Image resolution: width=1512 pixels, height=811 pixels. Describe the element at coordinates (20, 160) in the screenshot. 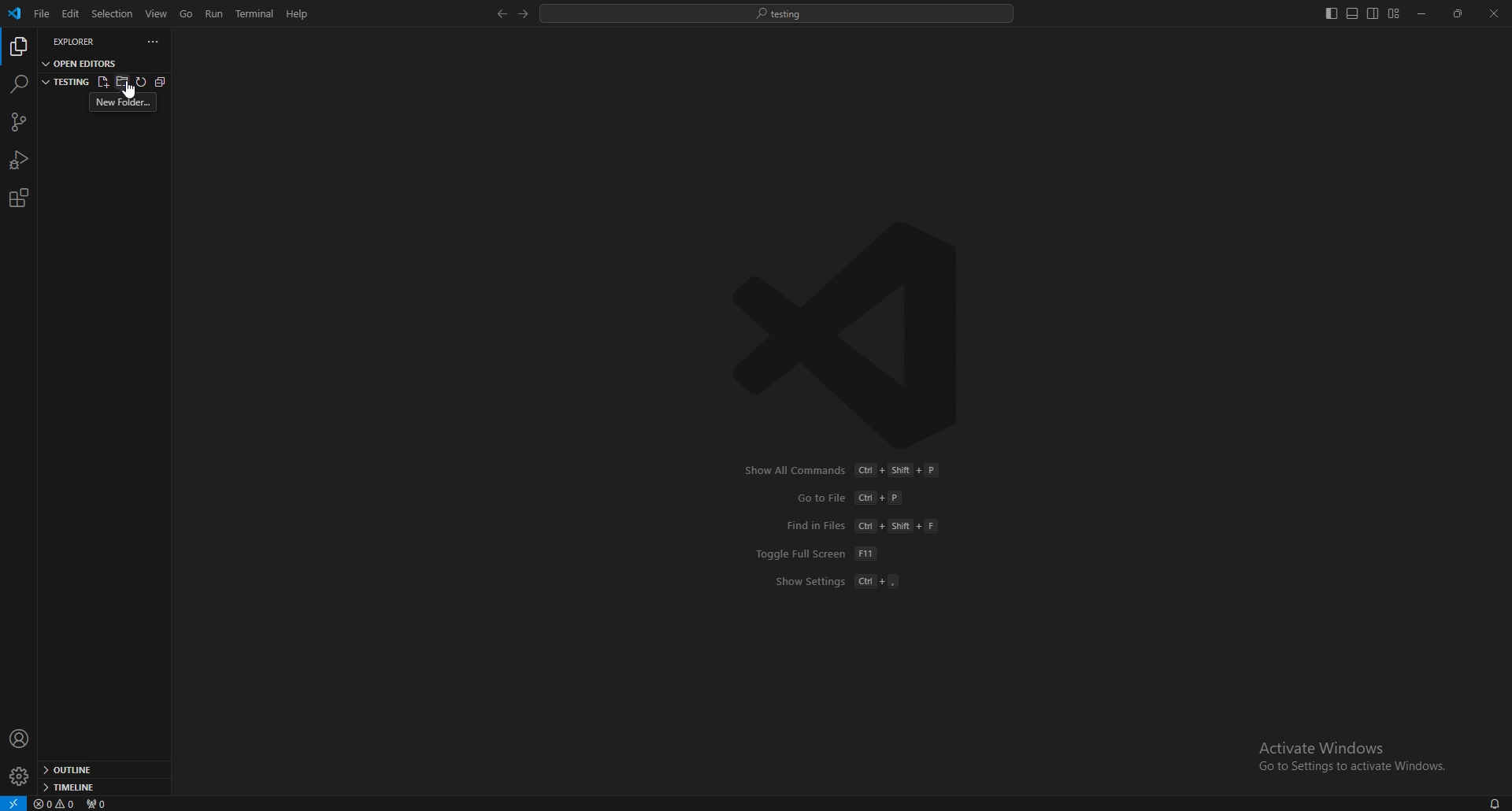

I see `run and debug` at that location.